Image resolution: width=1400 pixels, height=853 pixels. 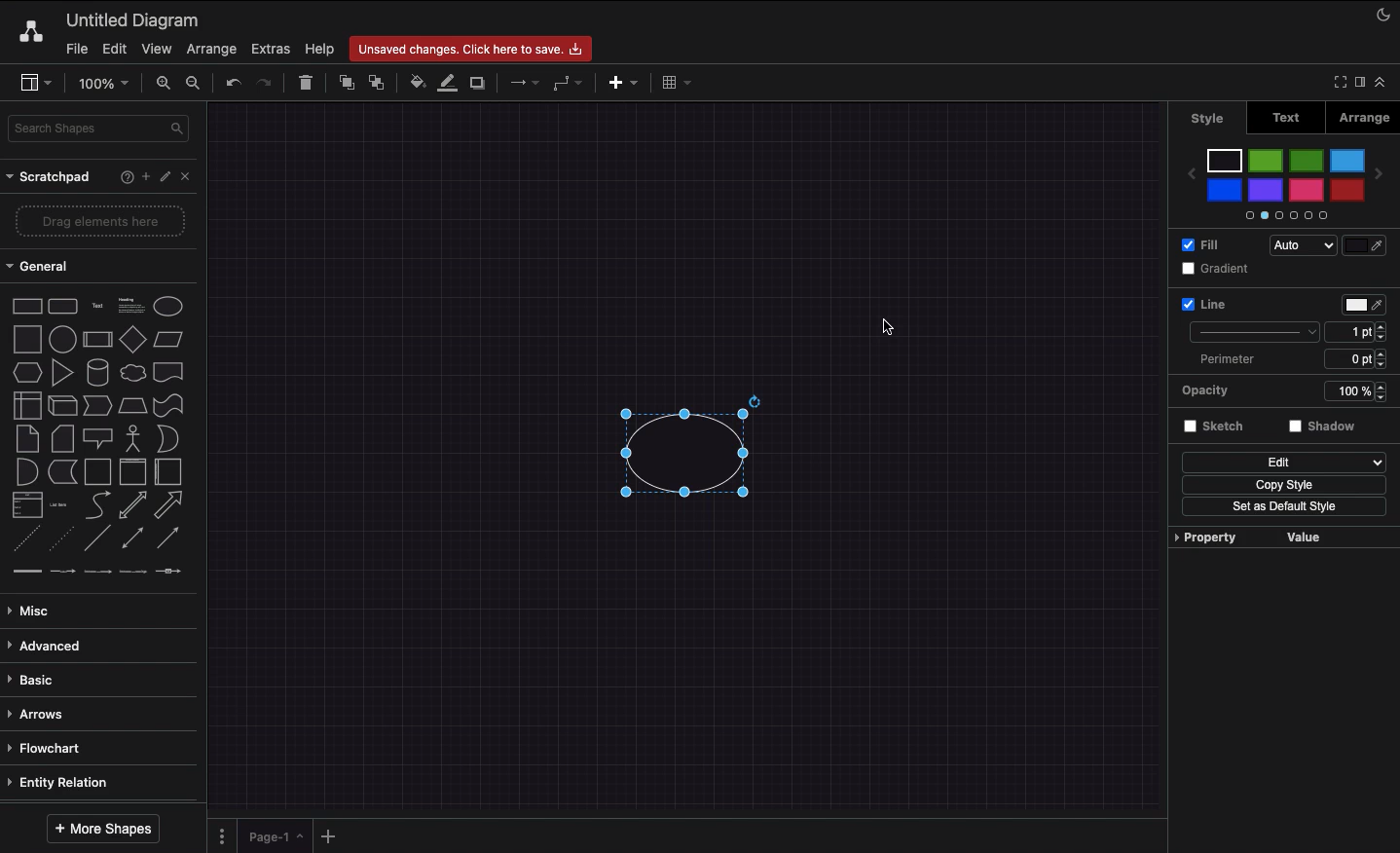 What do you see at coordinates (1217, 426) in the screenshot?
I see `Sketch` at bounding box center [1217, 426].